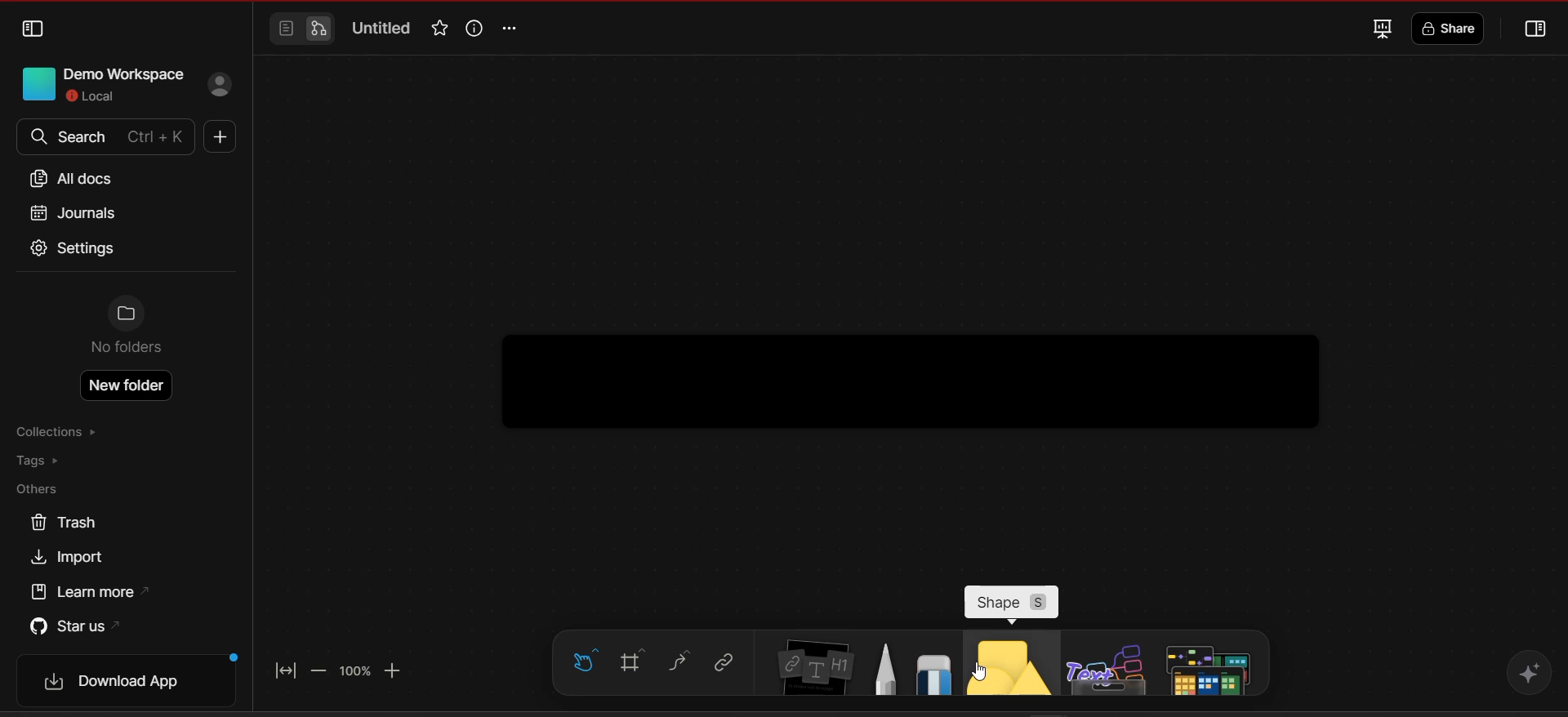 Image resolution: width=1568 pixels, height=717 pixels. Describe the element at coordinates (72, 212) in the screenshot. I see `journals` at that location.